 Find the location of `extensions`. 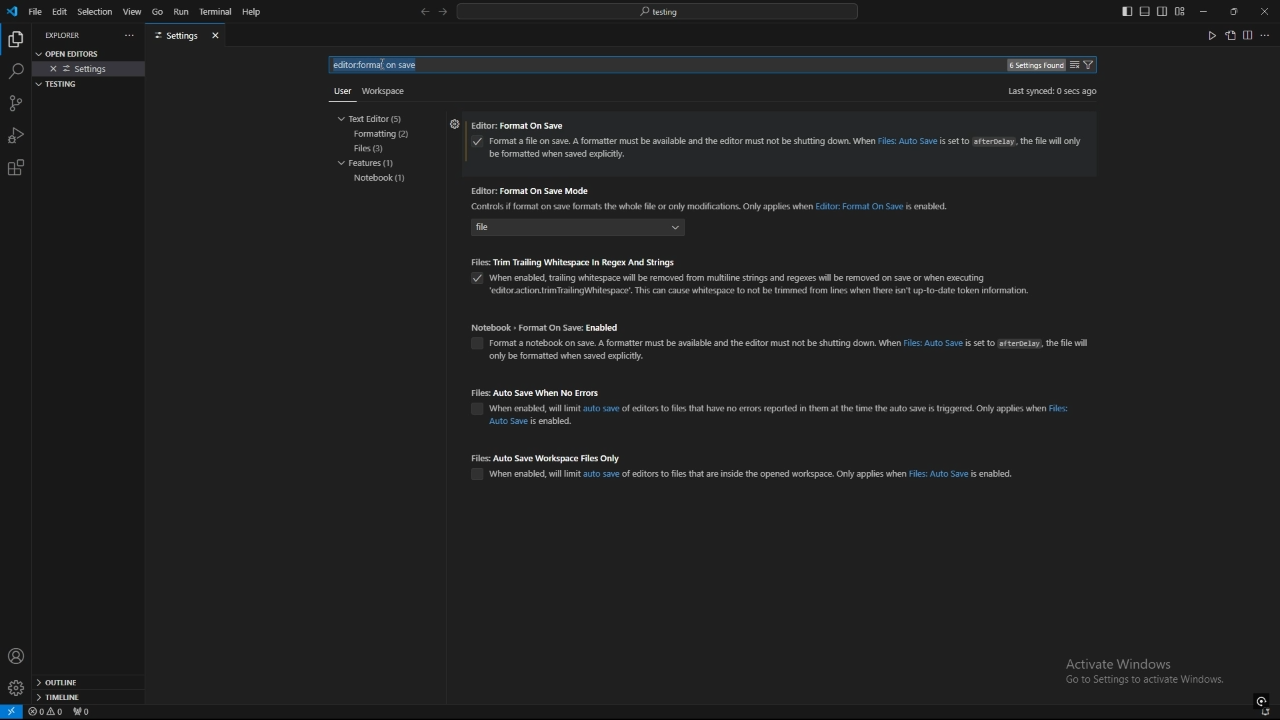

extensions is located at coordinates (16, 168).